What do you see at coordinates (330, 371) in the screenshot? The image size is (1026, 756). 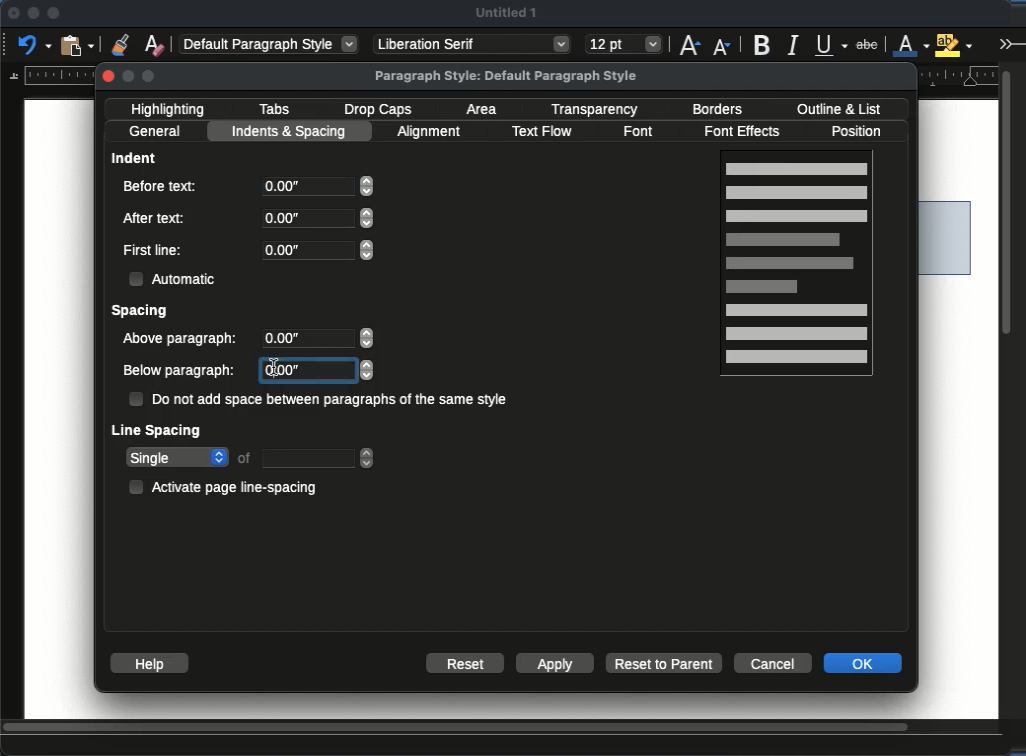 I see `0.00` at bounding box center [330, 371].